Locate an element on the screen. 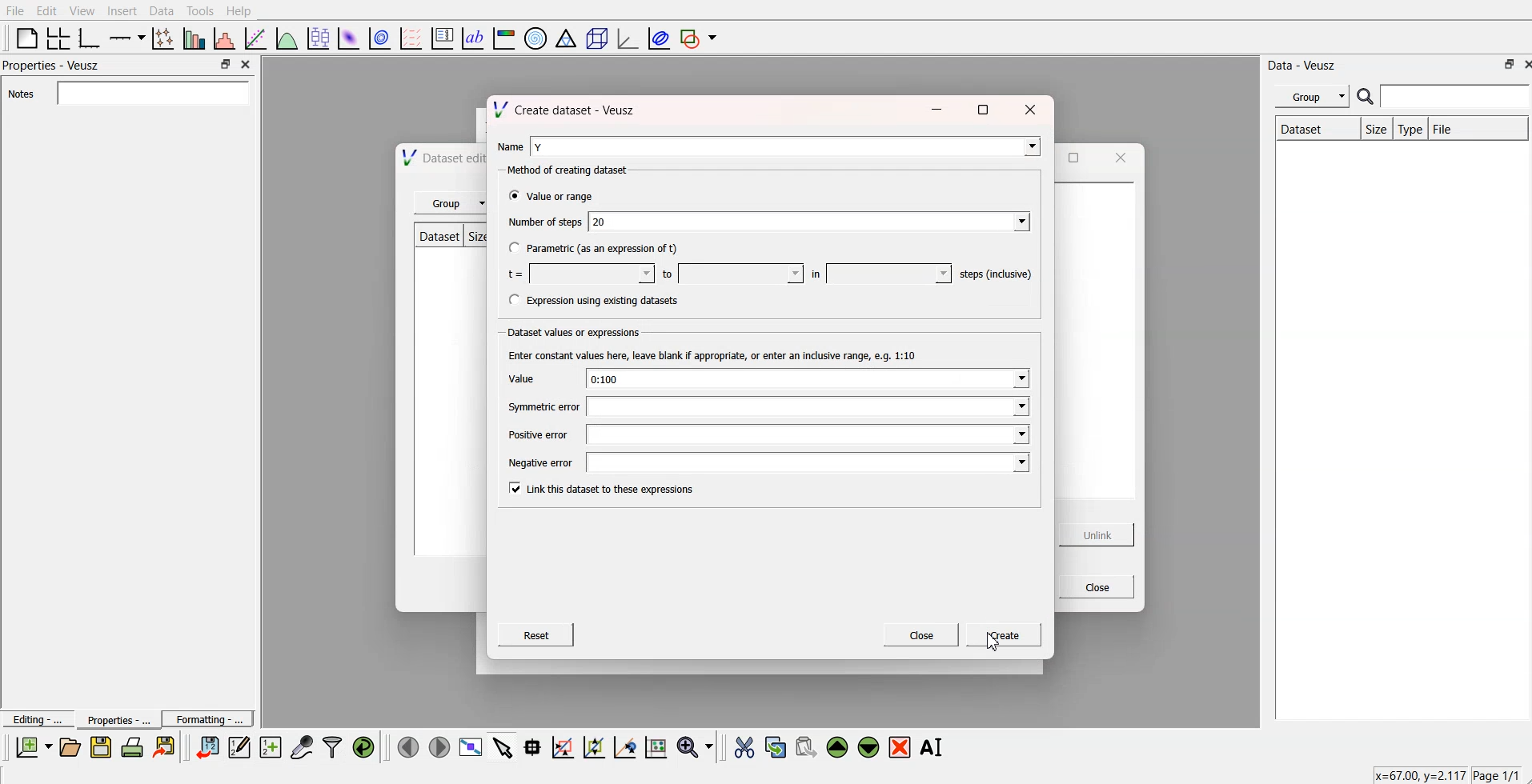 The image size is (1532, 784). Data is located at coordinates (162, 10).